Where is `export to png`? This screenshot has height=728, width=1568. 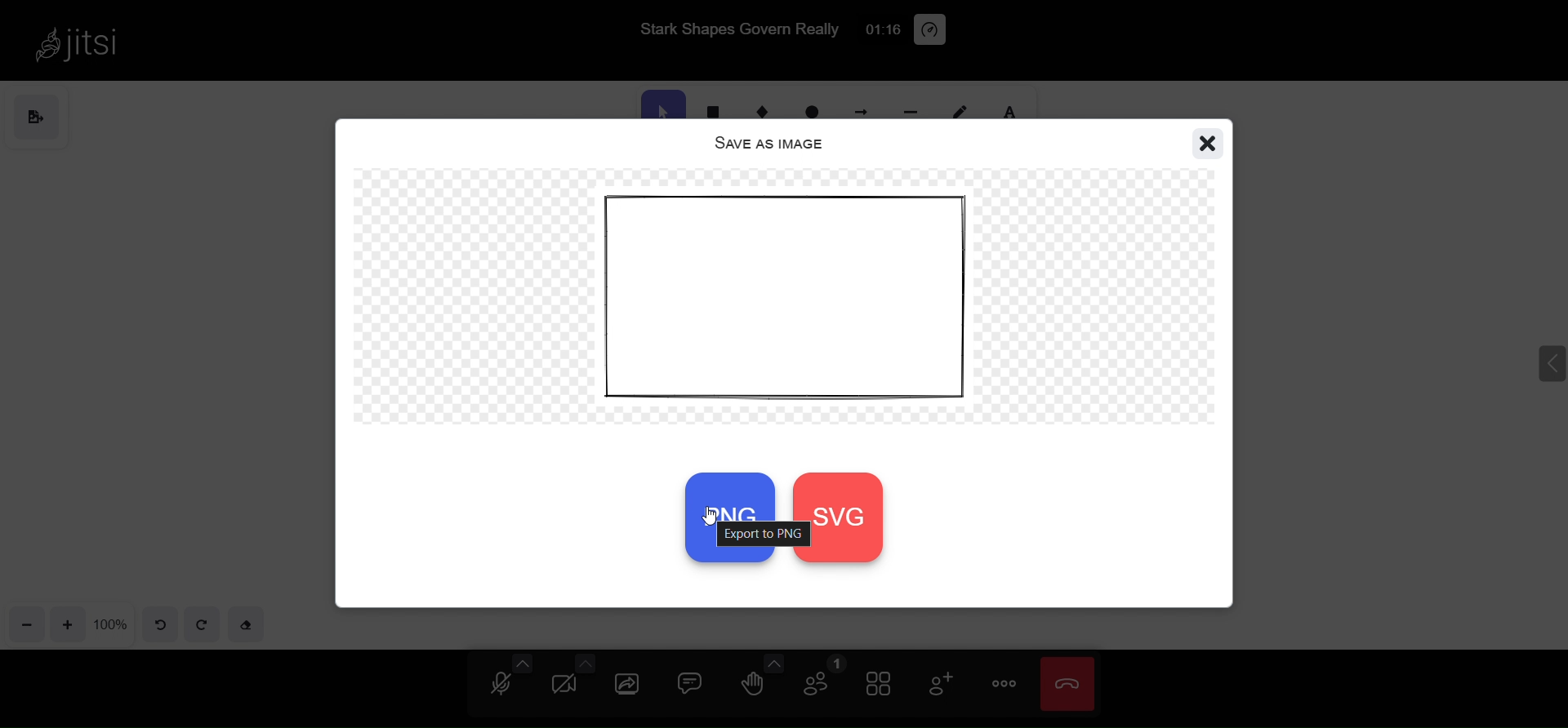
export to png is located at coordinates (763, 534).